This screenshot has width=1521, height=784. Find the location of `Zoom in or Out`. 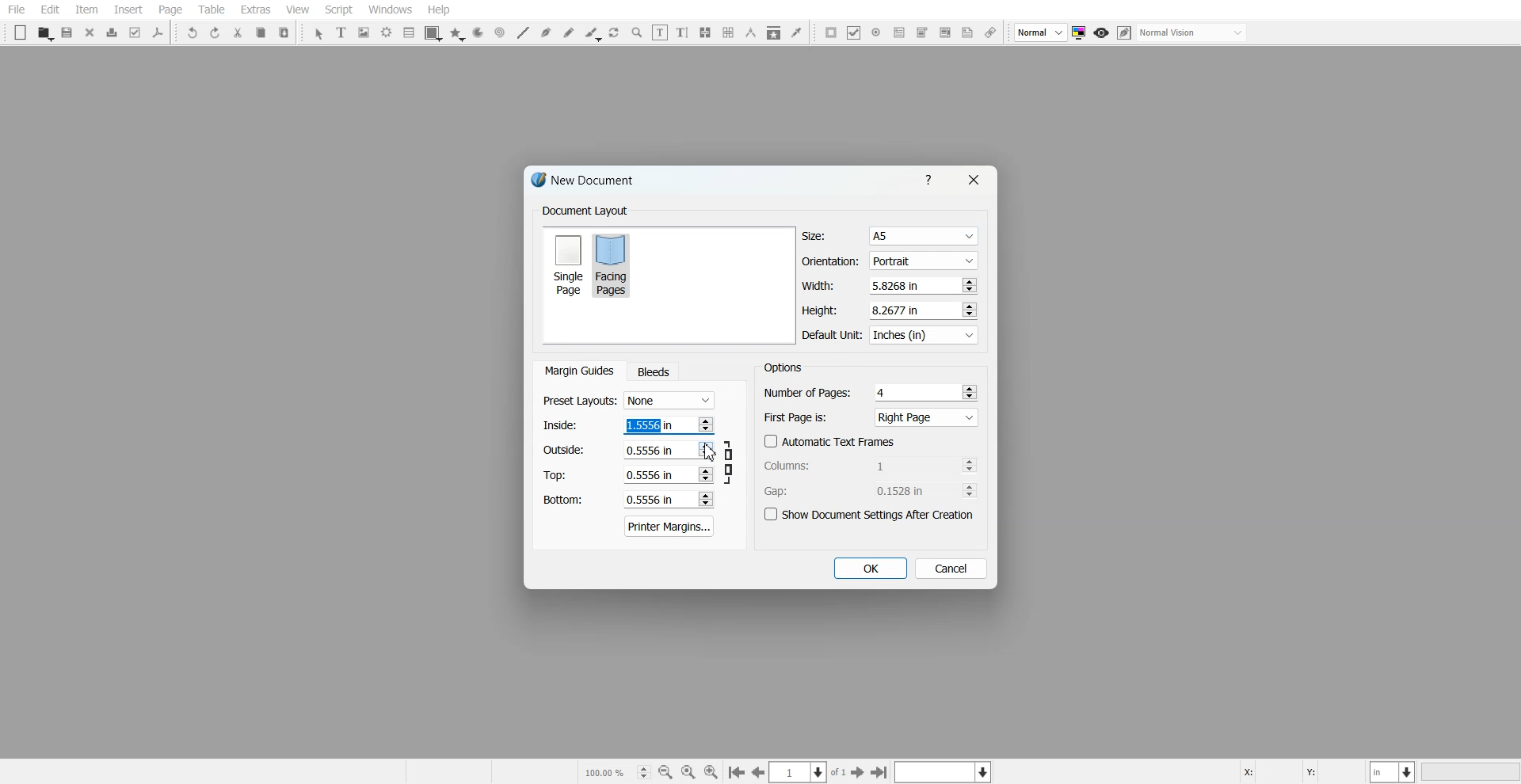

Zoom in or Out is located at coordinates (637, 32).